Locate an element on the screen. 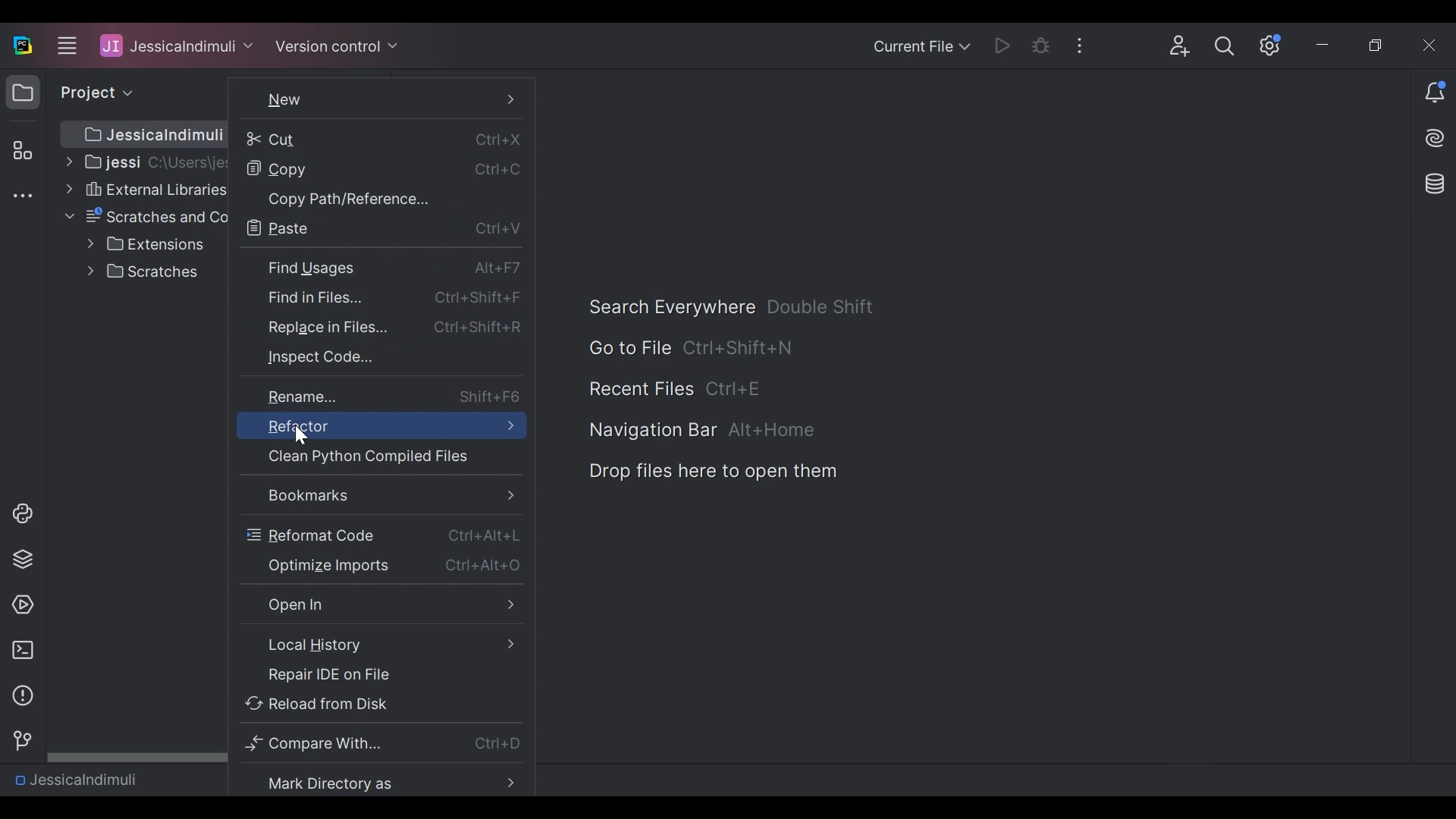  Local History is located at coordinates (380, 644).